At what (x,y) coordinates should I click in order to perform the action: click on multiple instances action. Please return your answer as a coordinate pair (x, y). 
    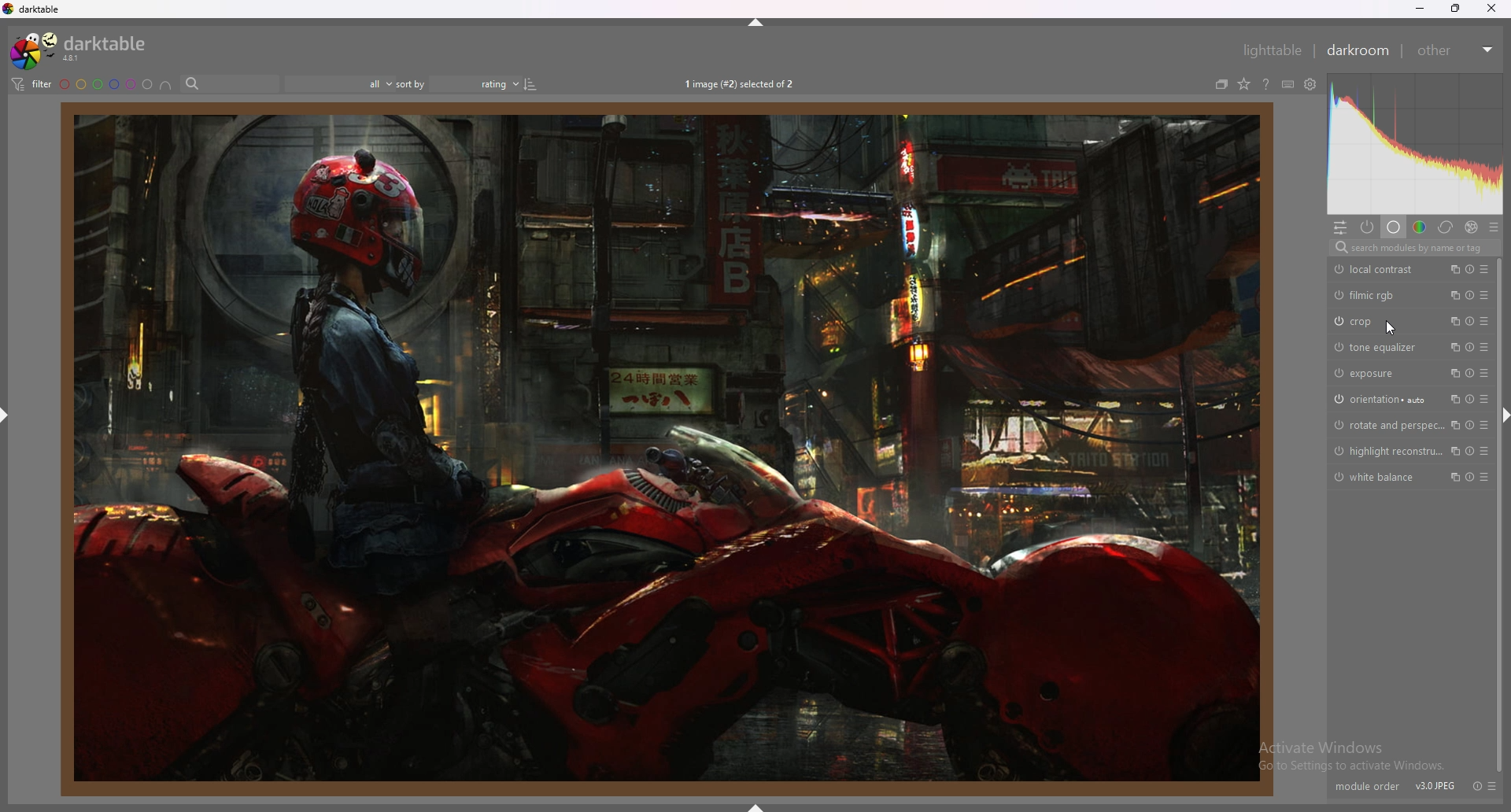
    Looking at the image, I should click on (1452, 295).